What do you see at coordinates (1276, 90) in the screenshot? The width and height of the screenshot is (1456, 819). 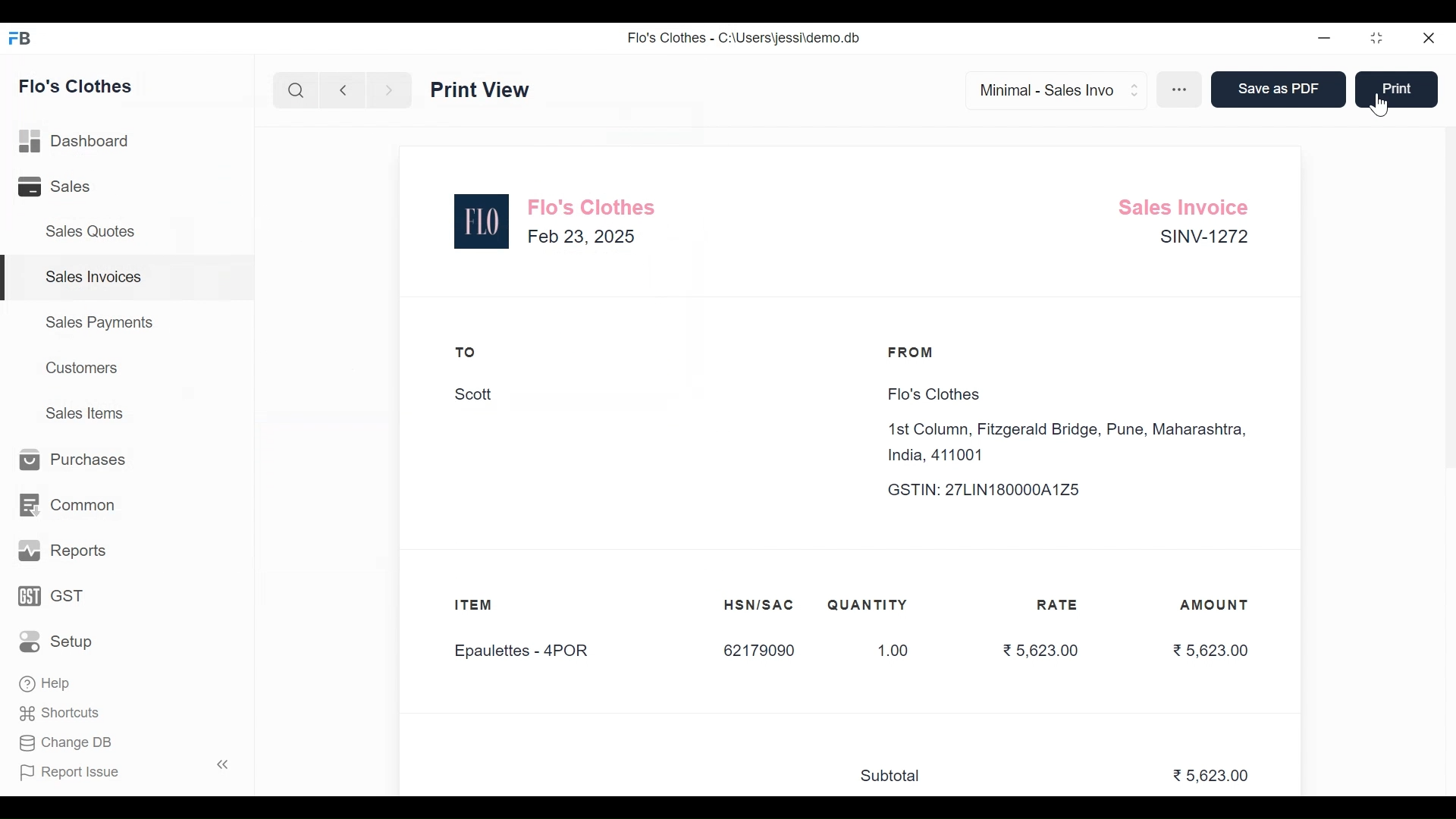 I see `Save as PDF` at bounding box center [1276, 90].